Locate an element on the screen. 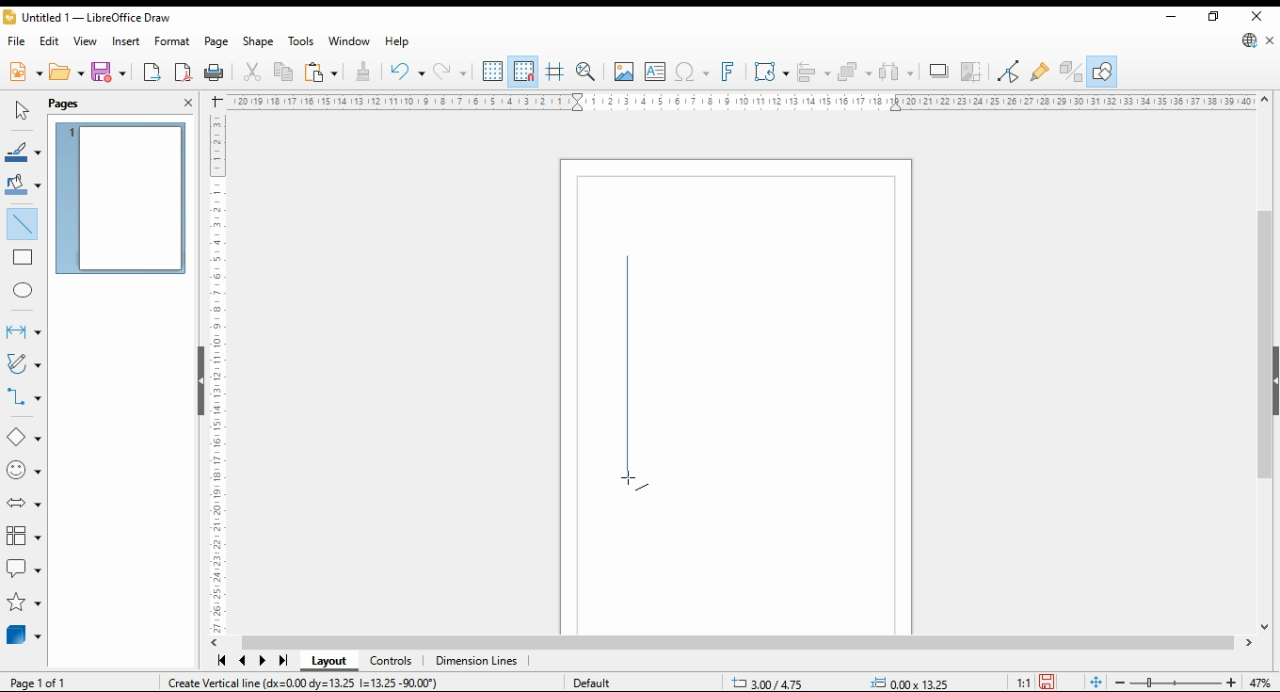 This screenshot has width=1280, height=692. restore is located at coordinates (1213, 17).